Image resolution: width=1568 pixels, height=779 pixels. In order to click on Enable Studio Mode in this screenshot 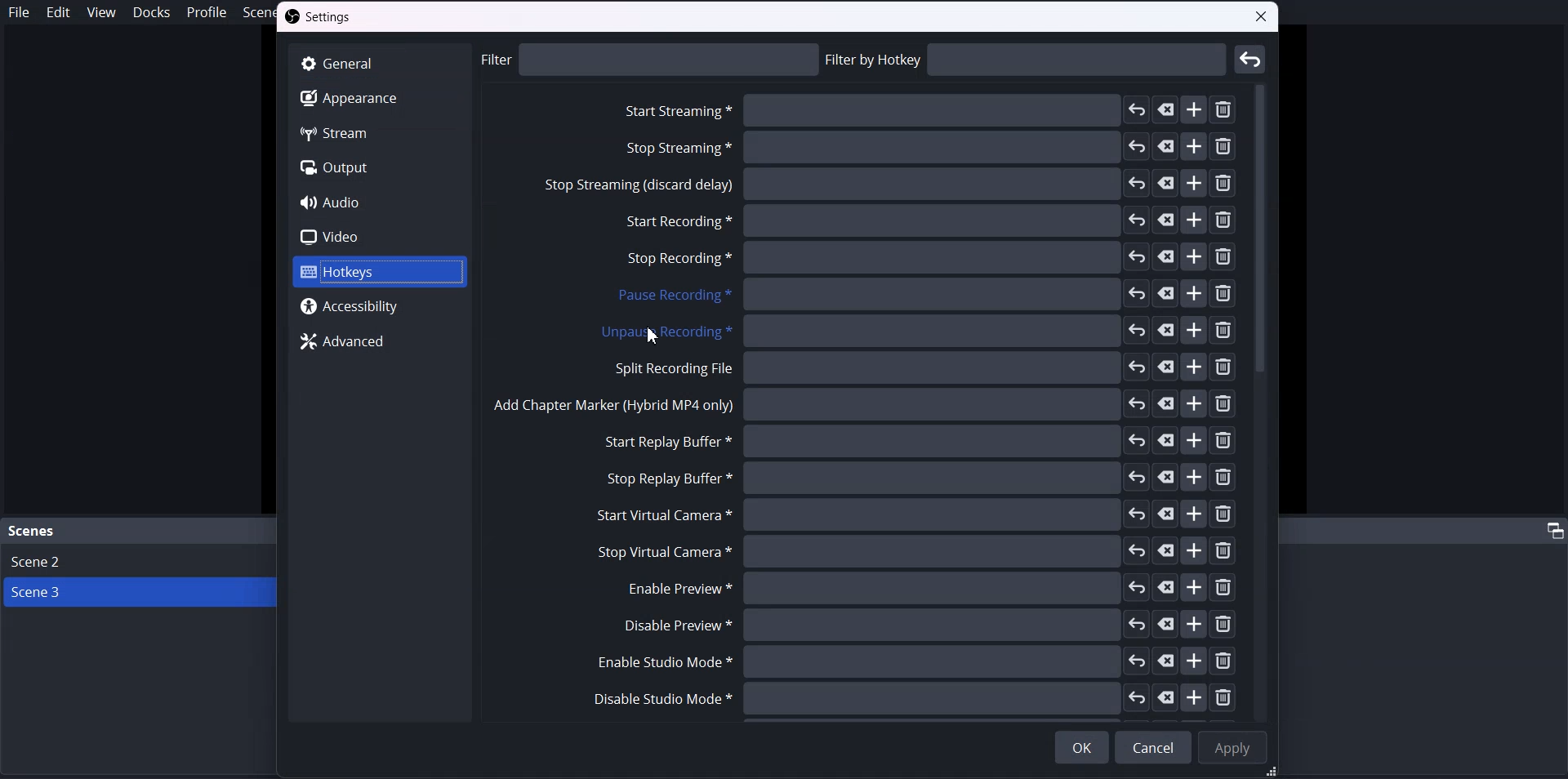, I will do `click(916, 661)`.